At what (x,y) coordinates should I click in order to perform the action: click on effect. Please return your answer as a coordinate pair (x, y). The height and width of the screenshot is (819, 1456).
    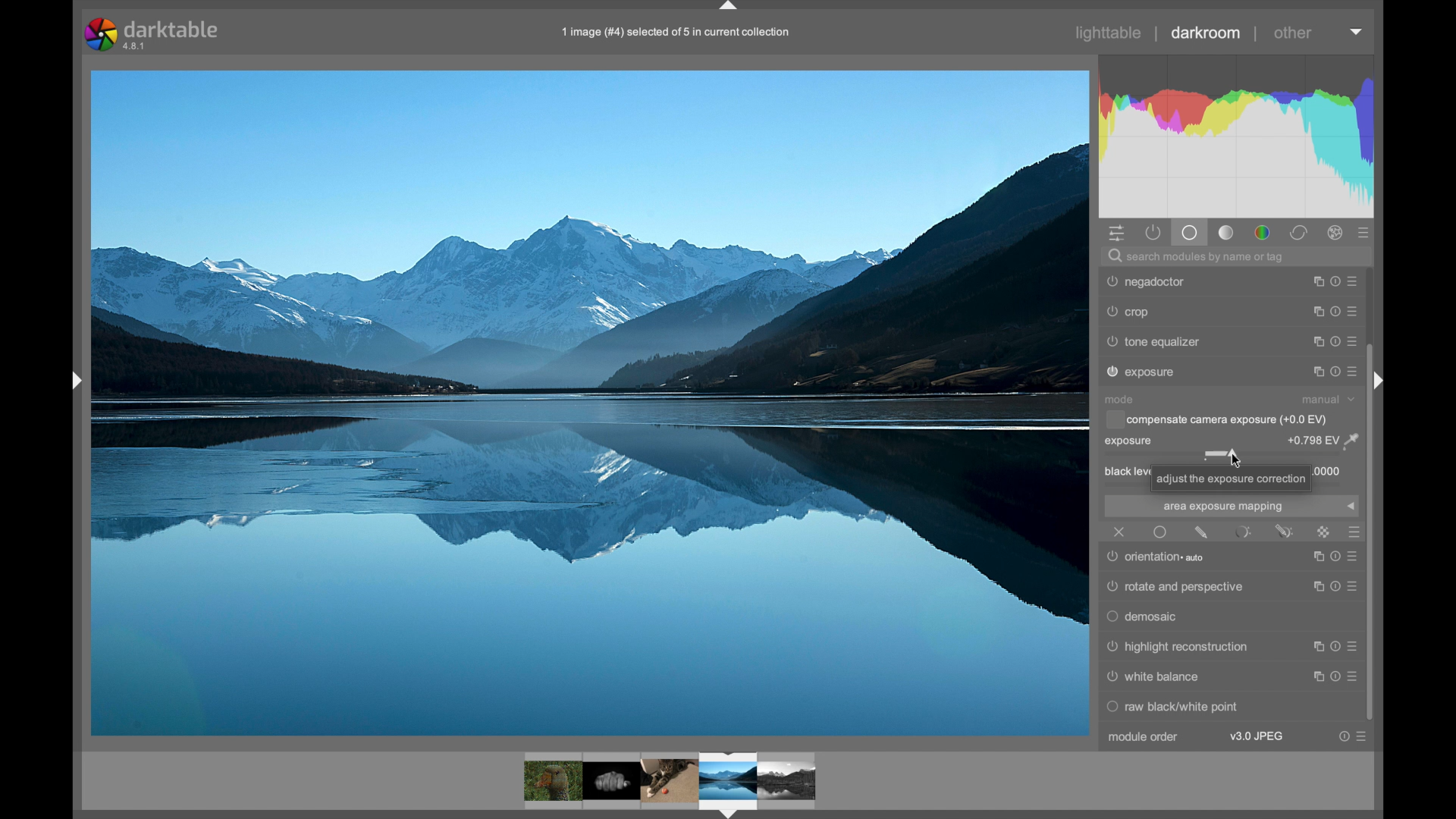
    Looking at the image, I should click on (1336, 233).